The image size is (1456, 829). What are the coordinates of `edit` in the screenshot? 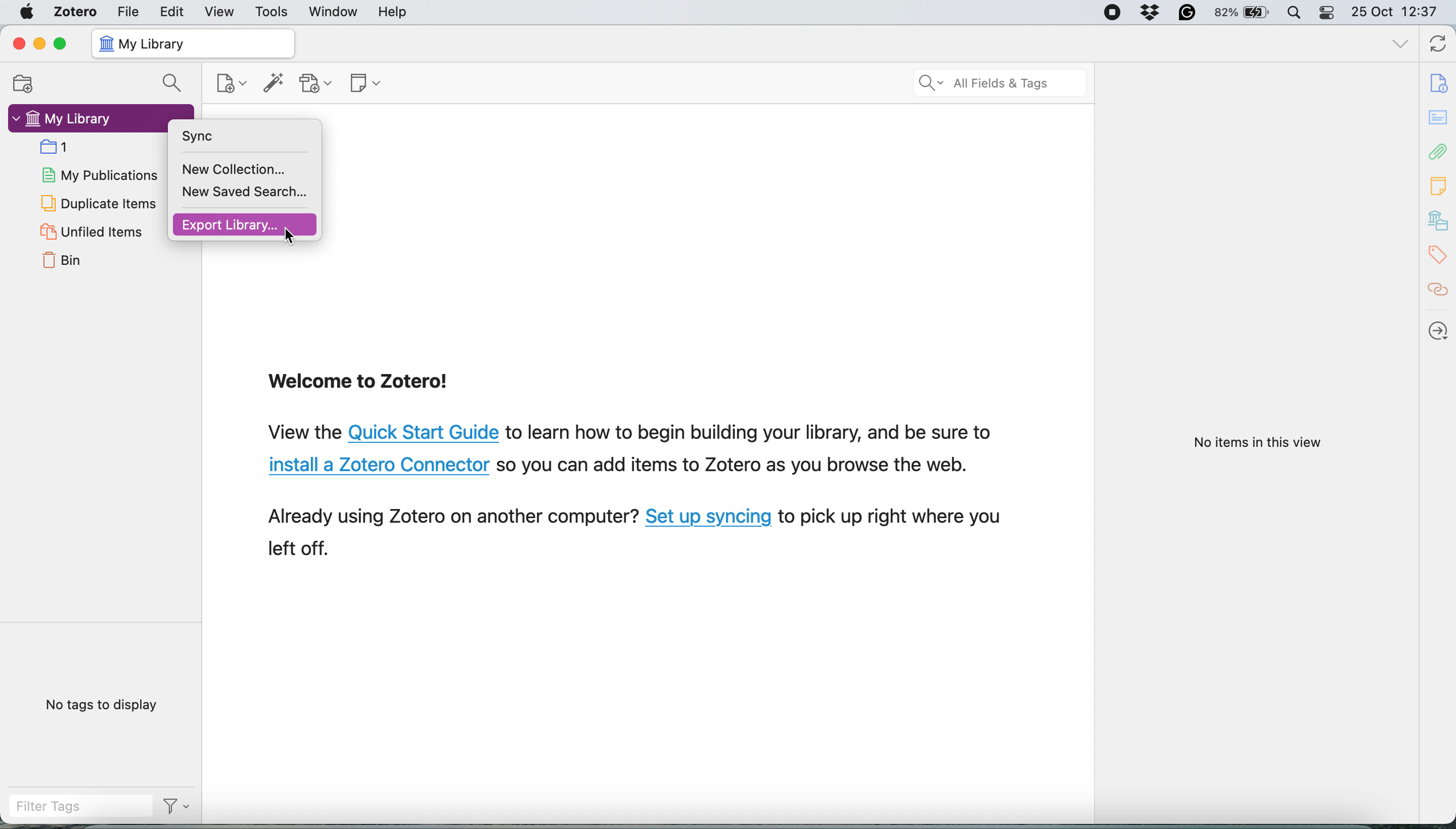 It's located at (173, 11).